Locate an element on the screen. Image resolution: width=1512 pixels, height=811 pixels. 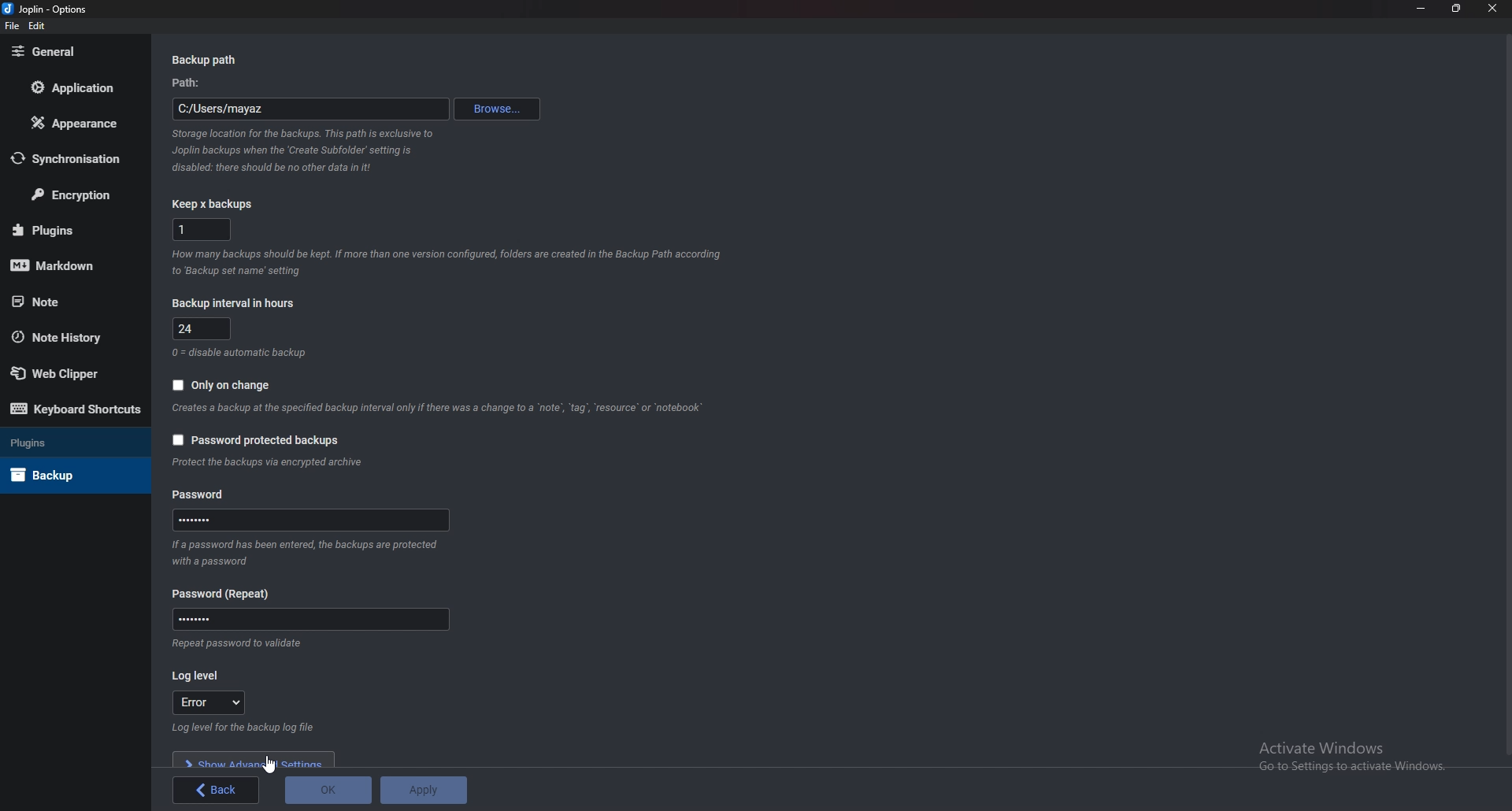
Web Clipper is located at coordinates (73, 373).